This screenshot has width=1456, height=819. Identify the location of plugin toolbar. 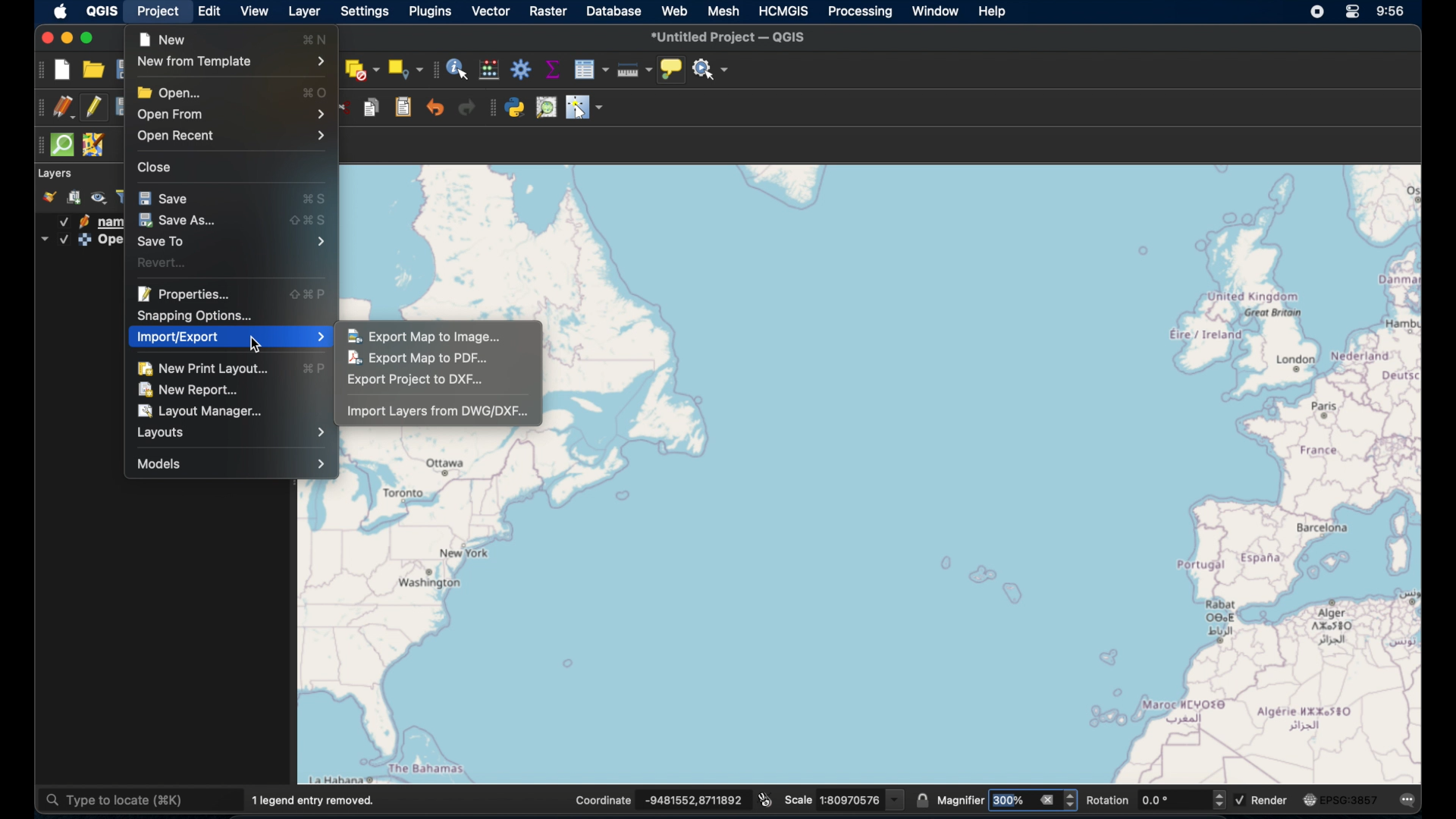
(491, 109).